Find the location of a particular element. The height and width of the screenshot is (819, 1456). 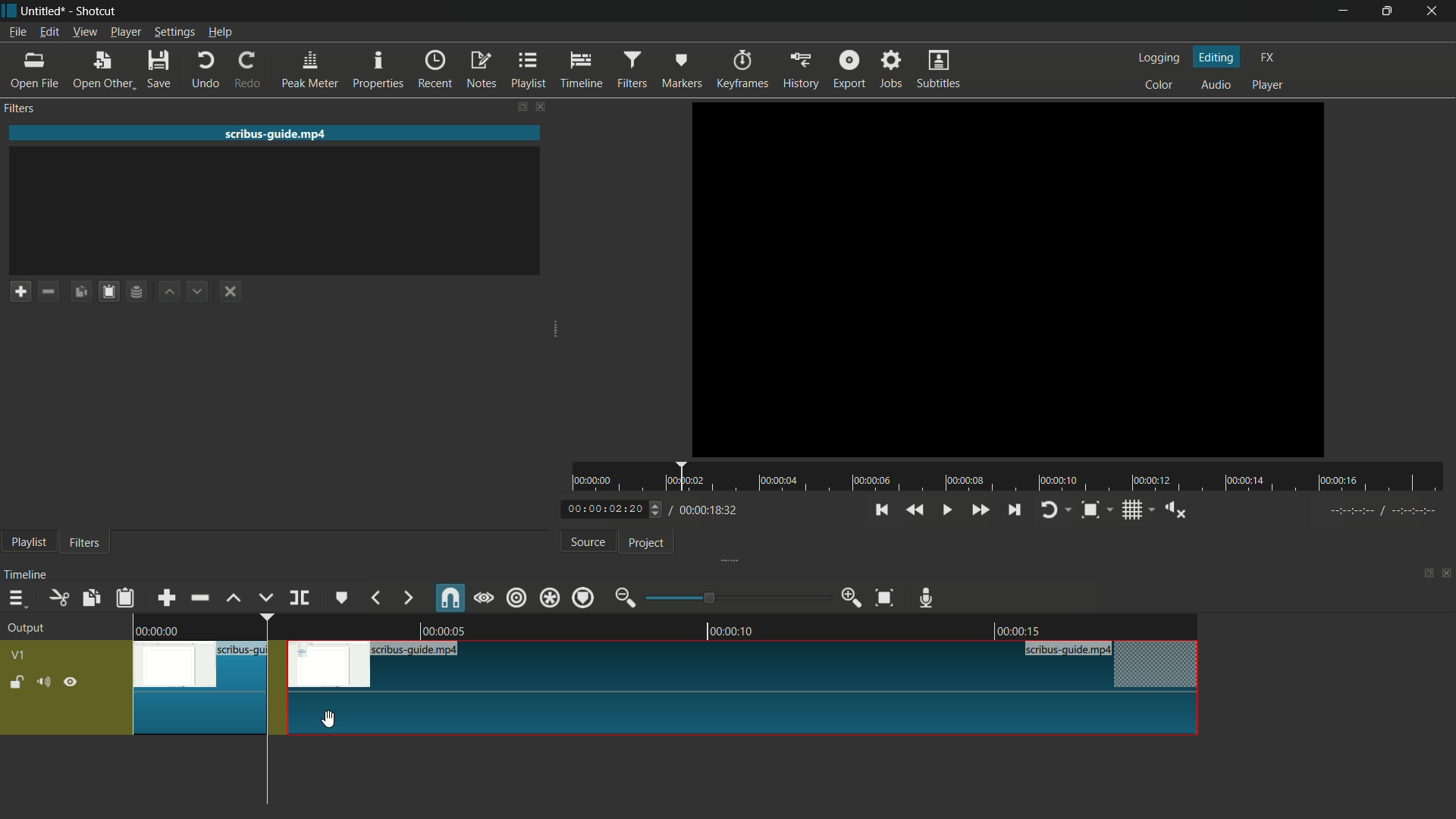

change layout is located at coordinates (1426, 575).